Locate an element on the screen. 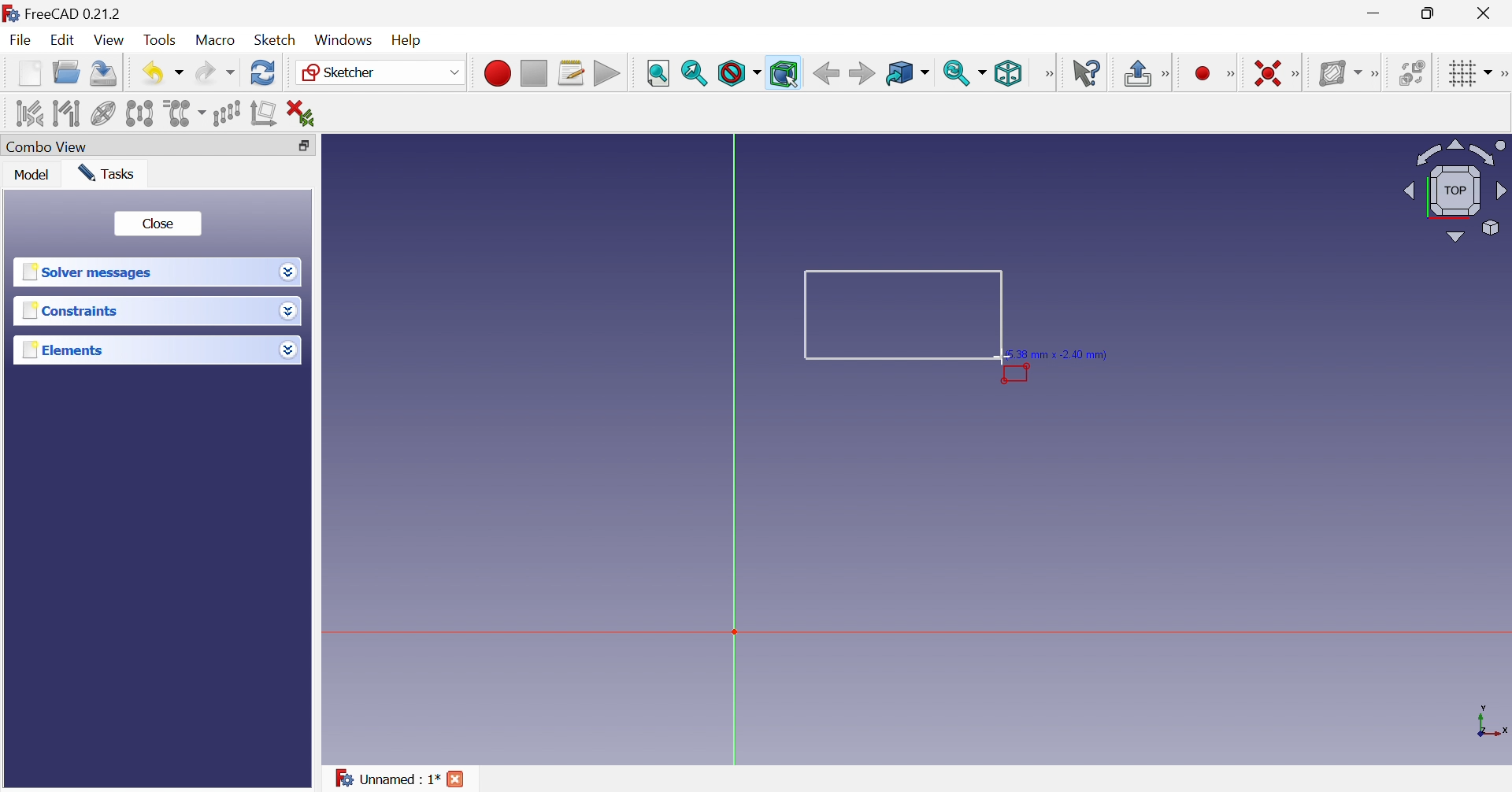 Image resolution: width=1512 pixels, height=792 pixels. cursor is located at coordinates (1003, 357).